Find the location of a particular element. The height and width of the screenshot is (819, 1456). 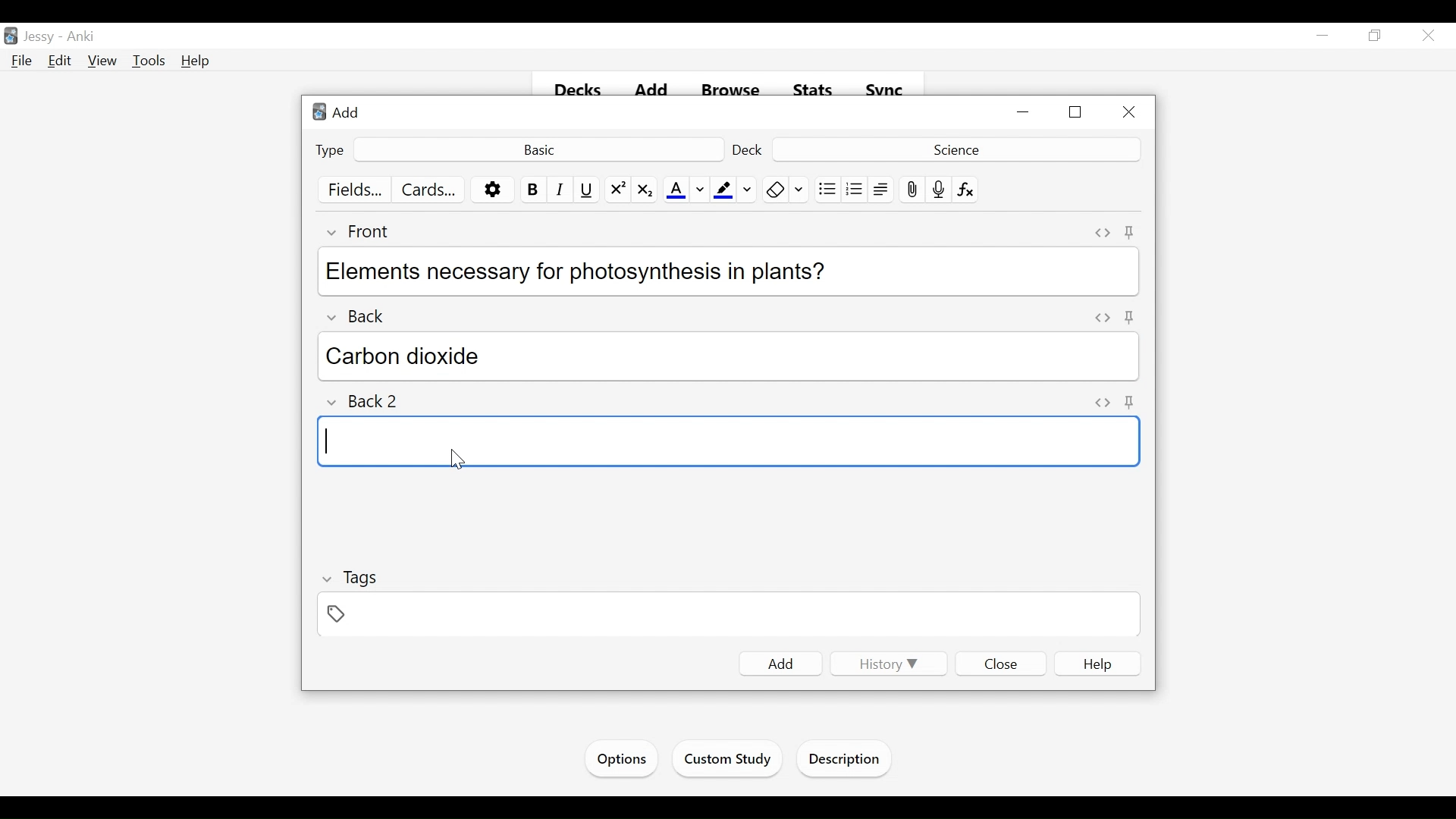

Fields is located at coordinates (356, 190).